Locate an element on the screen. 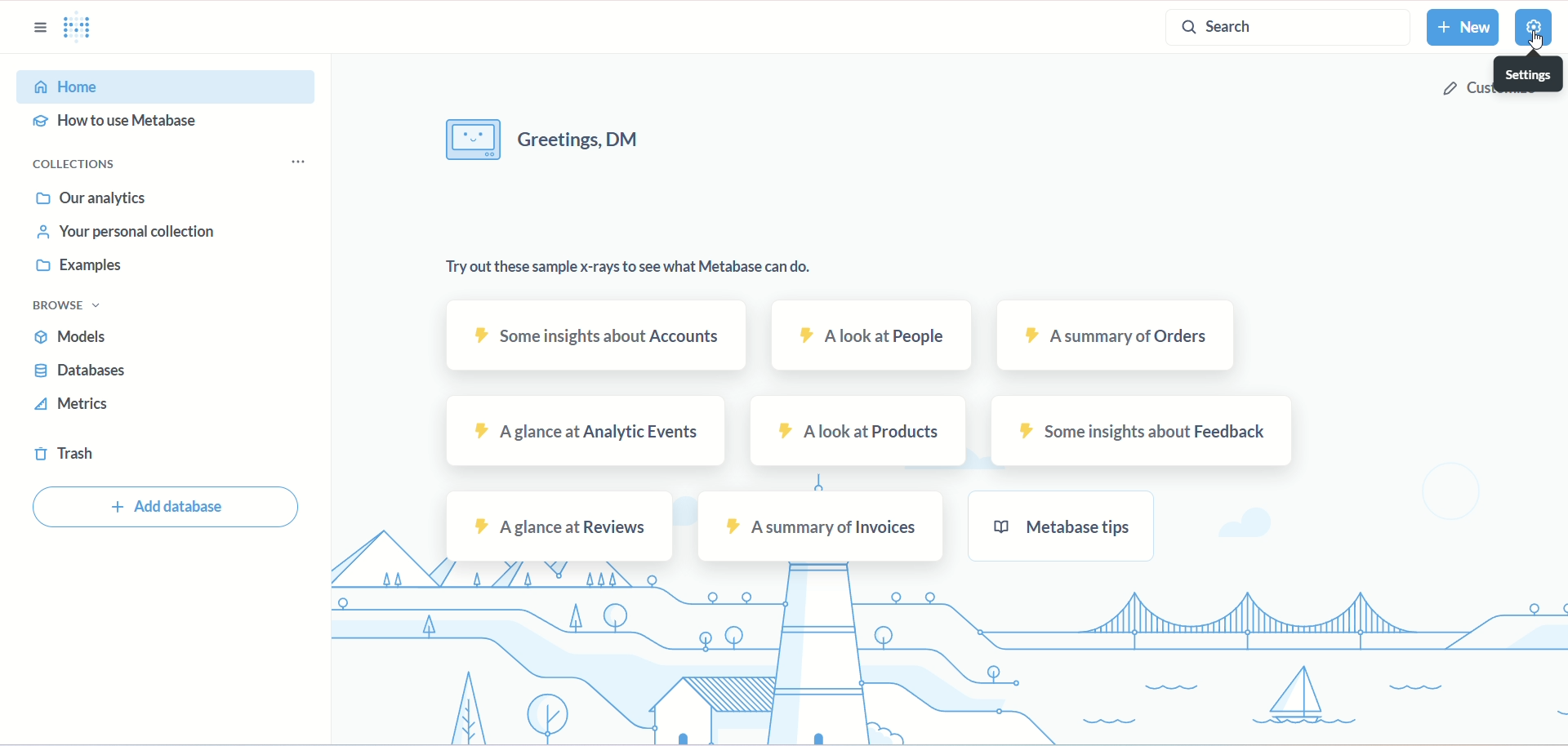  sidebar is located at coordinates (30, 27).